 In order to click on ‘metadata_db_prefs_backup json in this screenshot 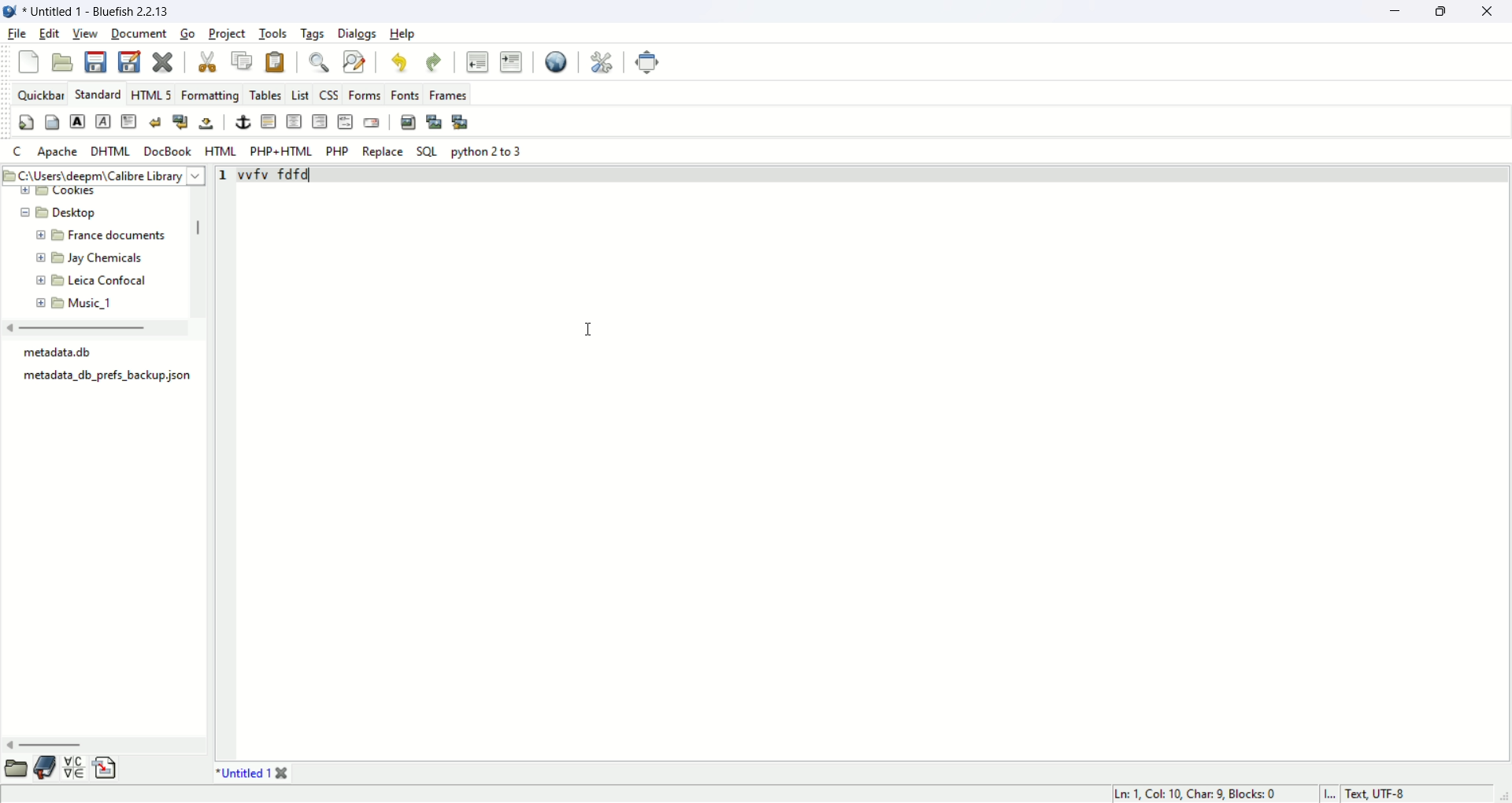, I will do `click(105, 377)`.